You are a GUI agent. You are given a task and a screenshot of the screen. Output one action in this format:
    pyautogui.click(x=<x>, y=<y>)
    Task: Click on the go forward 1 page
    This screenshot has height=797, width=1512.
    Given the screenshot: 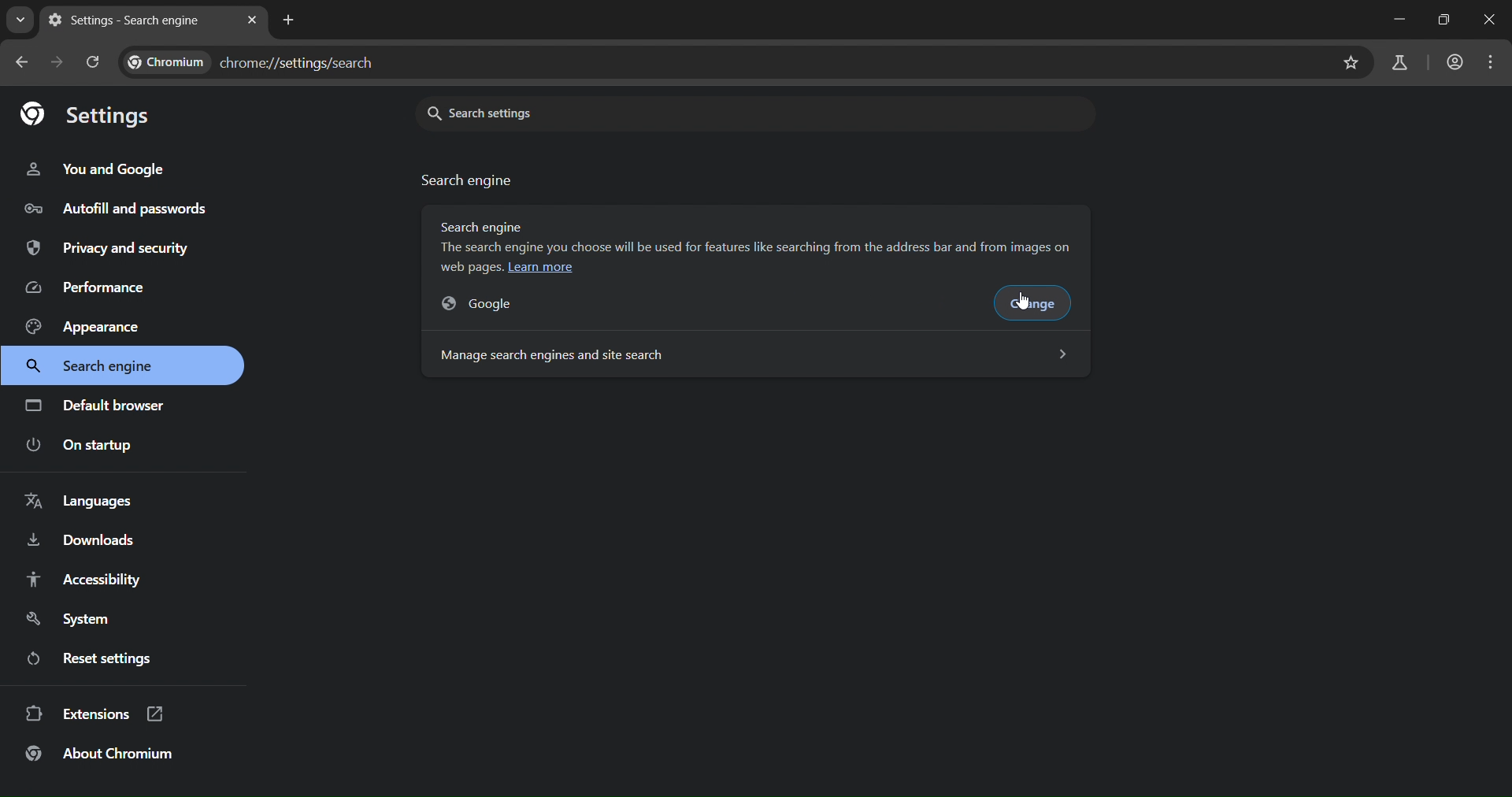 What is the action you would take?
    pyautogui.click(x=57, y=61)
    